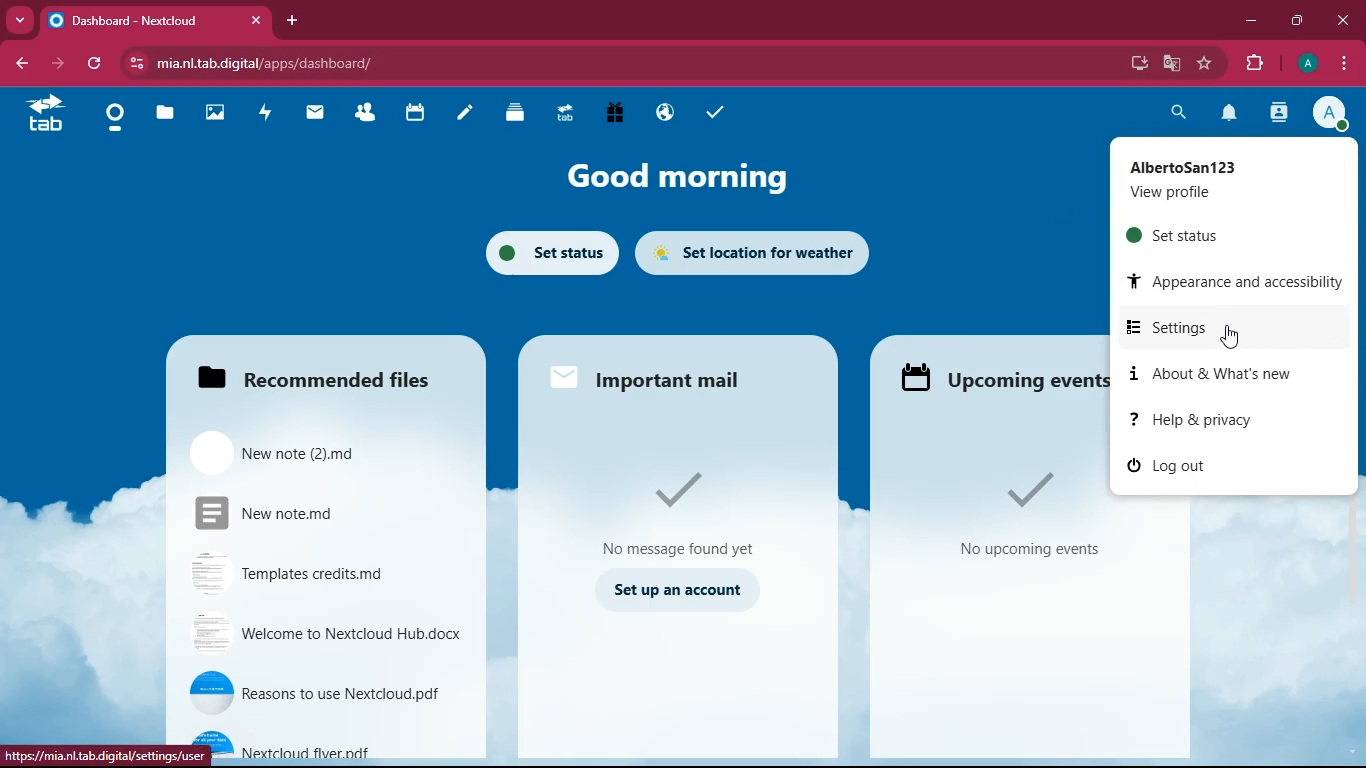  Describe the element at coordinates (58, 62) in the screenshot. I see `forward` at that location.